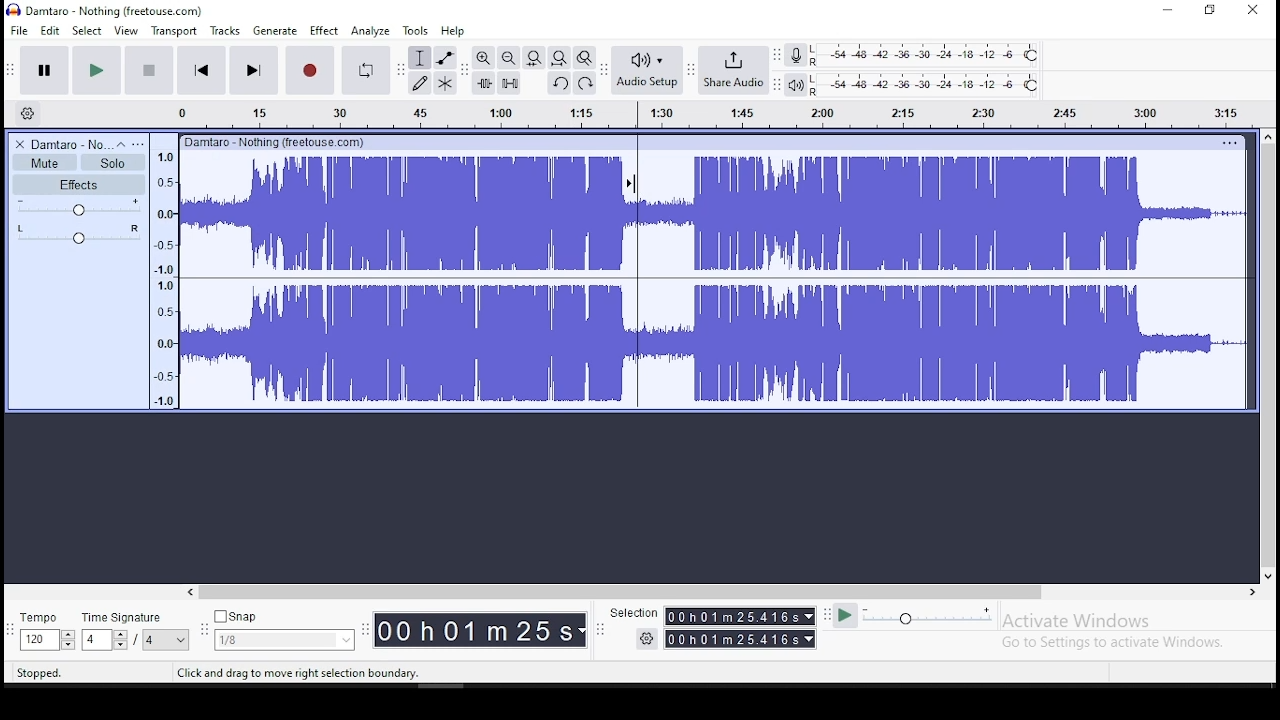  I want to click on volume, so click(80, 211).